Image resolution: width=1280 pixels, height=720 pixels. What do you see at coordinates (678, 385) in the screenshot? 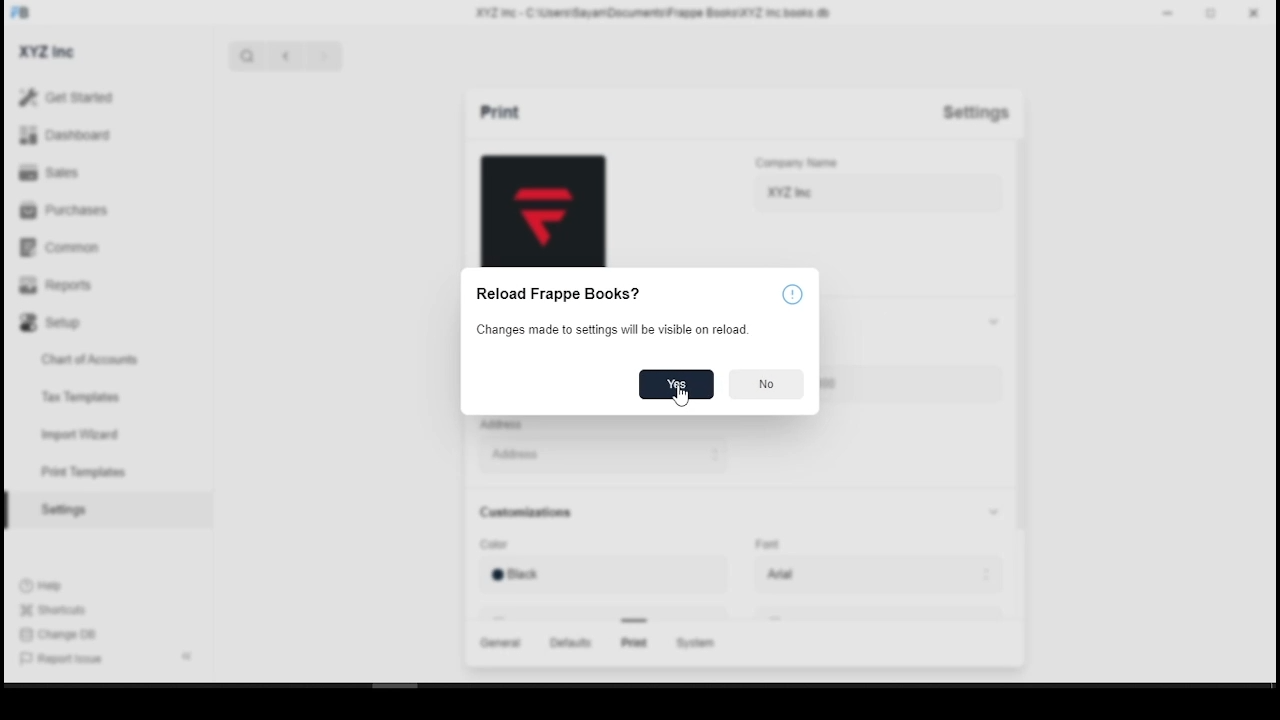
I see `yes` at bounding box center [678, 385].